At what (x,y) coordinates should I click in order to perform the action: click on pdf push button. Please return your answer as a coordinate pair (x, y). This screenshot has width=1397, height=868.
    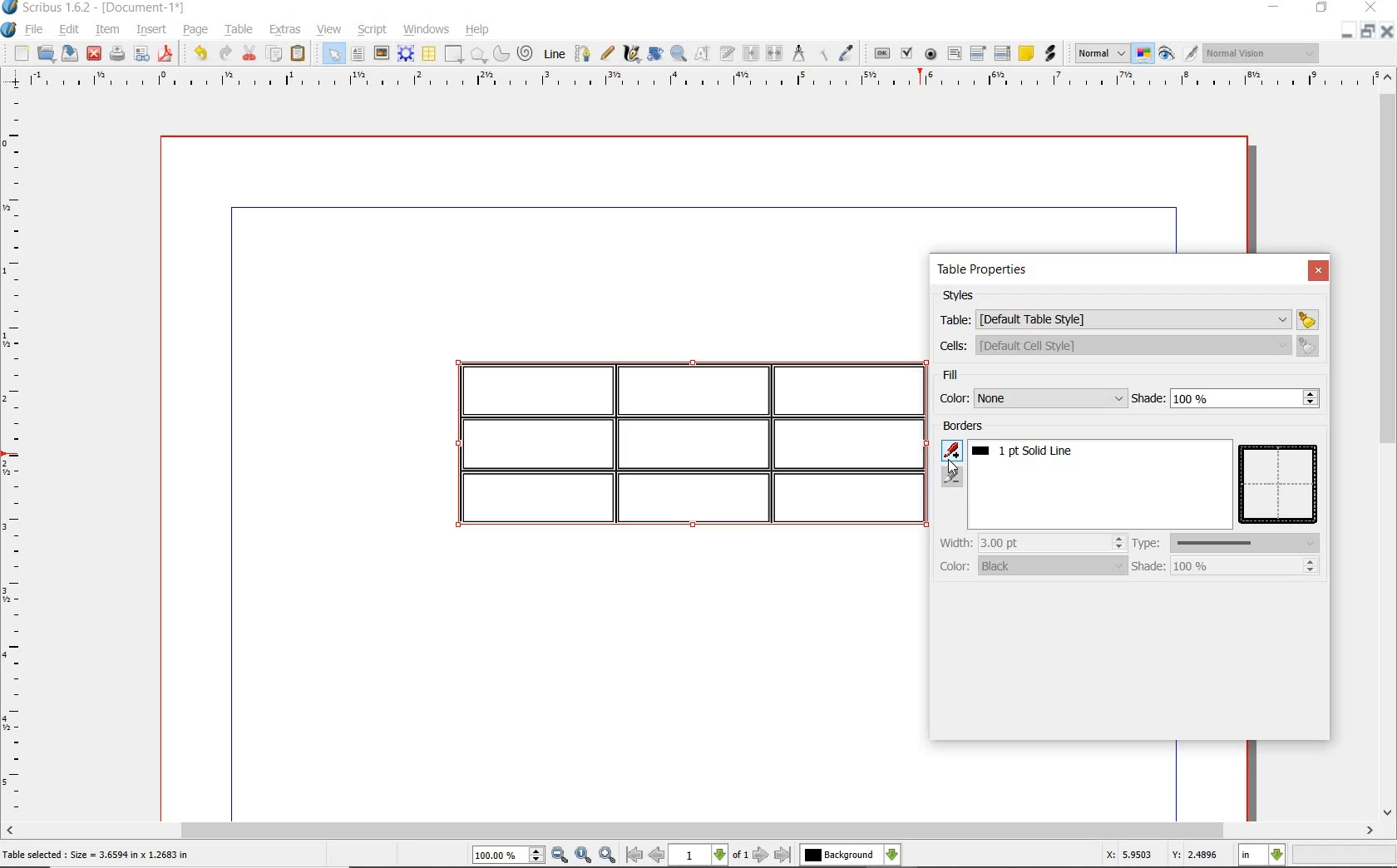
    Looking at the image, I should click on (882, 54).